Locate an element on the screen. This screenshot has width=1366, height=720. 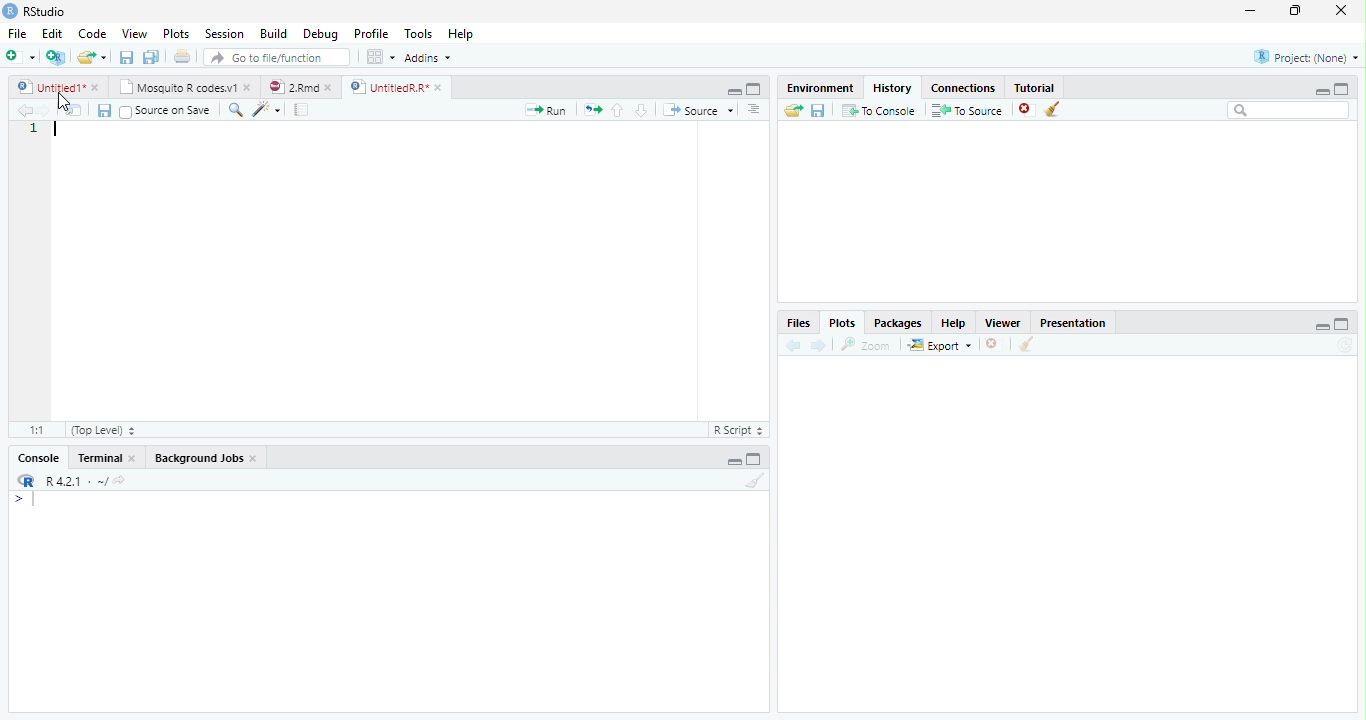
Connections is located at coordinates (963, 88).